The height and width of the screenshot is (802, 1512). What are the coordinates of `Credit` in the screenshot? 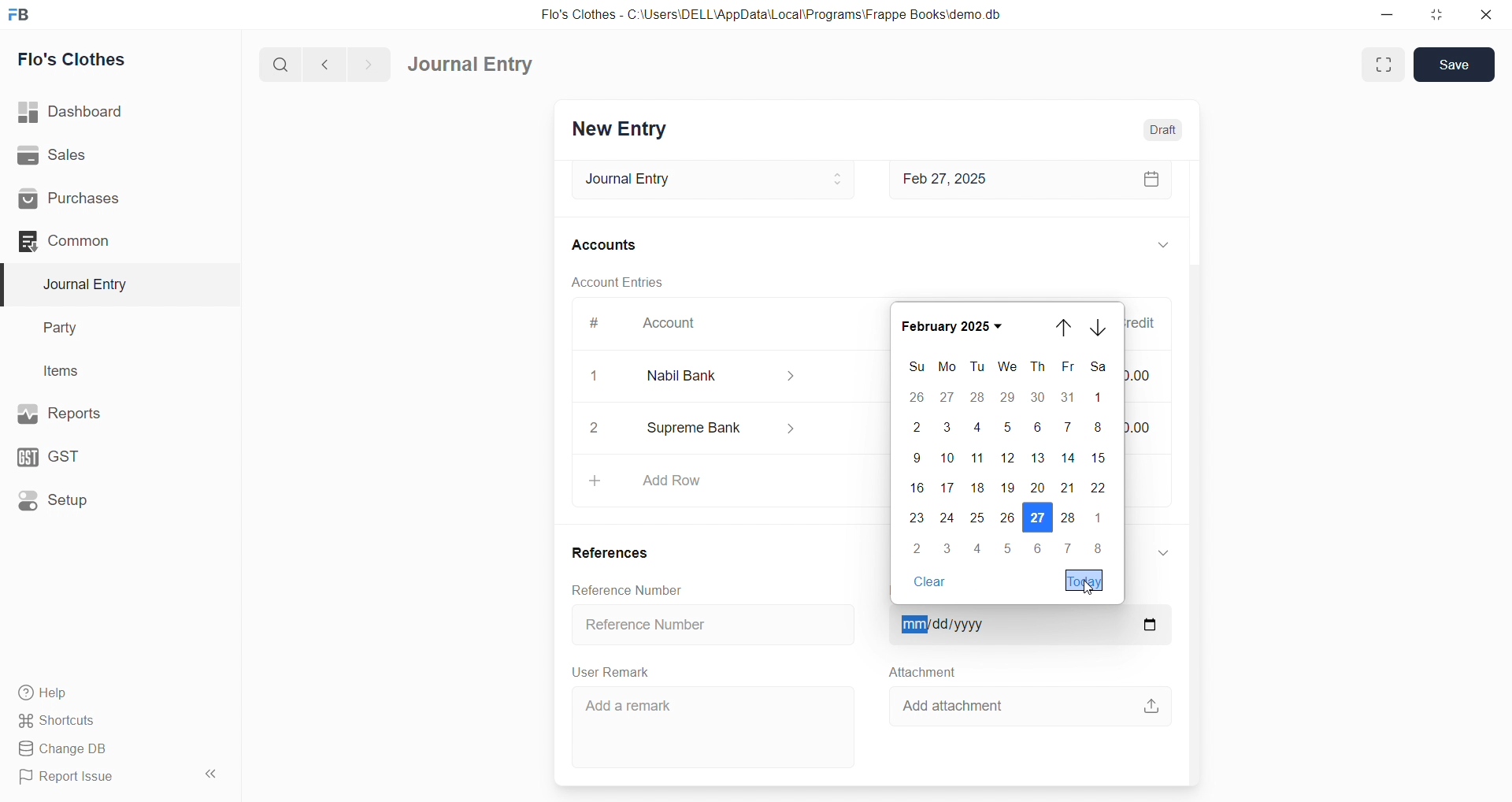 It's located at (1145, 326).